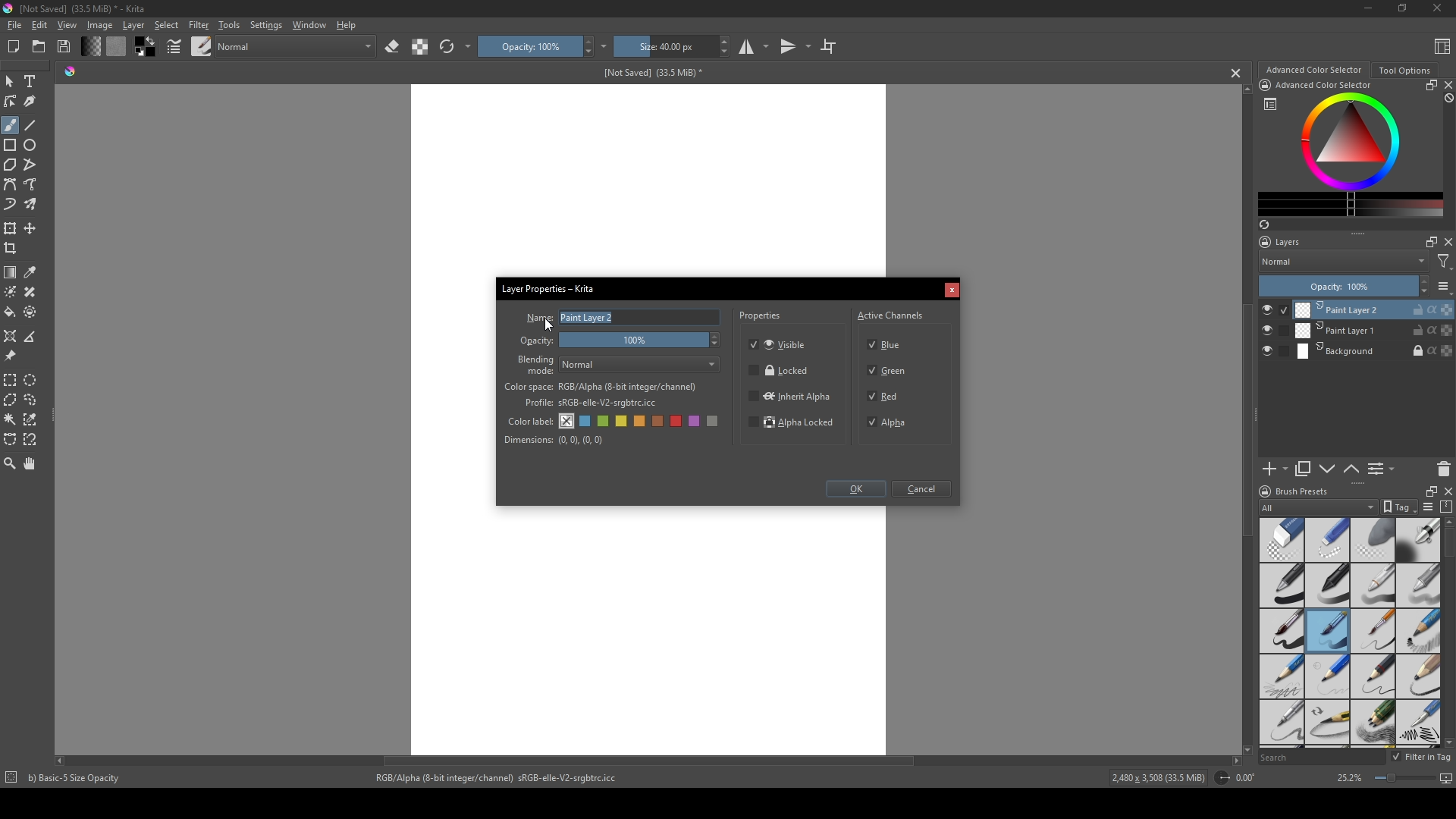 The image size is (1456, 819). I want to click on Alpha, so click(891, 422).